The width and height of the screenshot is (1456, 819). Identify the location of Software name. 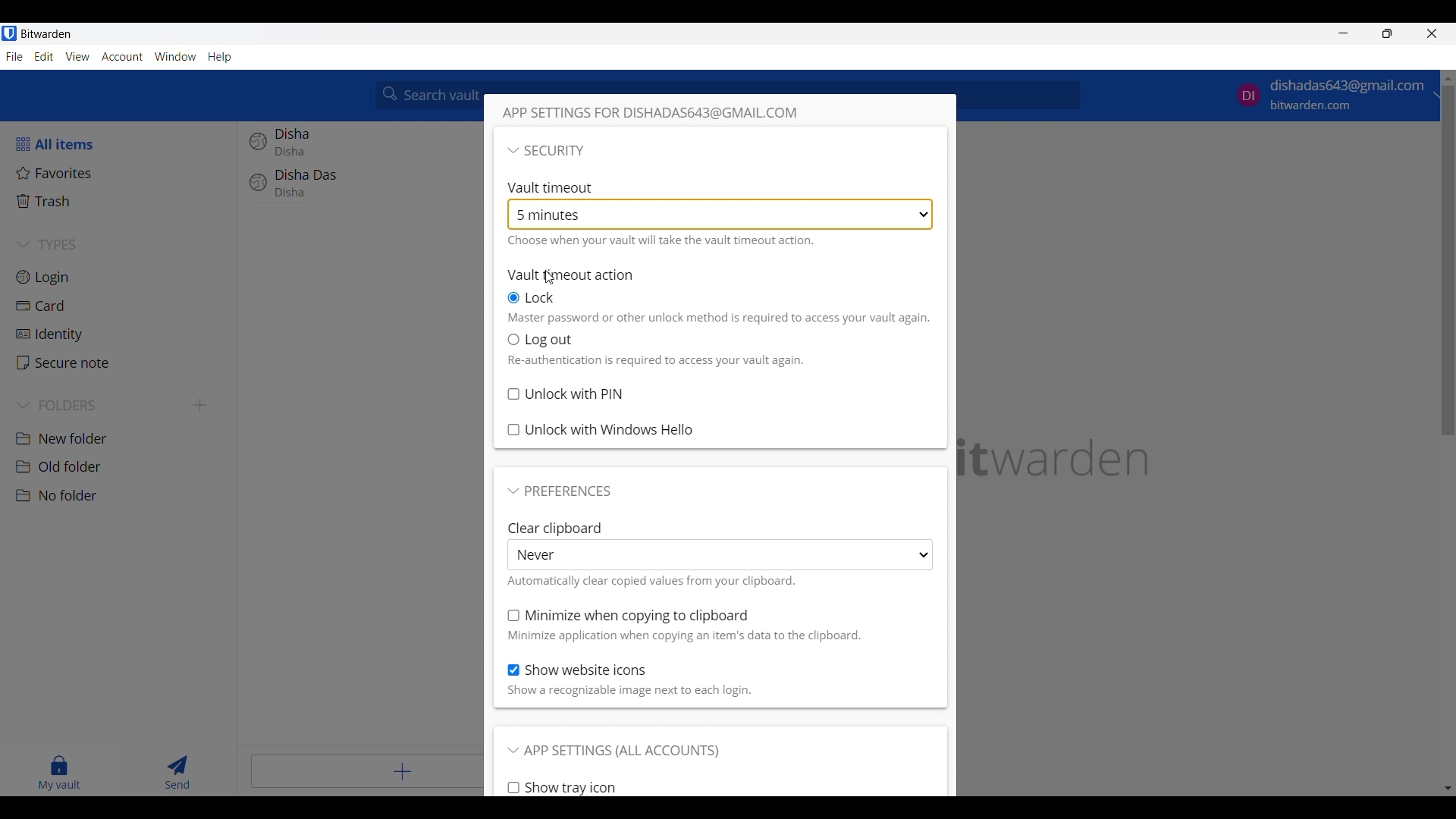
(46, 34).